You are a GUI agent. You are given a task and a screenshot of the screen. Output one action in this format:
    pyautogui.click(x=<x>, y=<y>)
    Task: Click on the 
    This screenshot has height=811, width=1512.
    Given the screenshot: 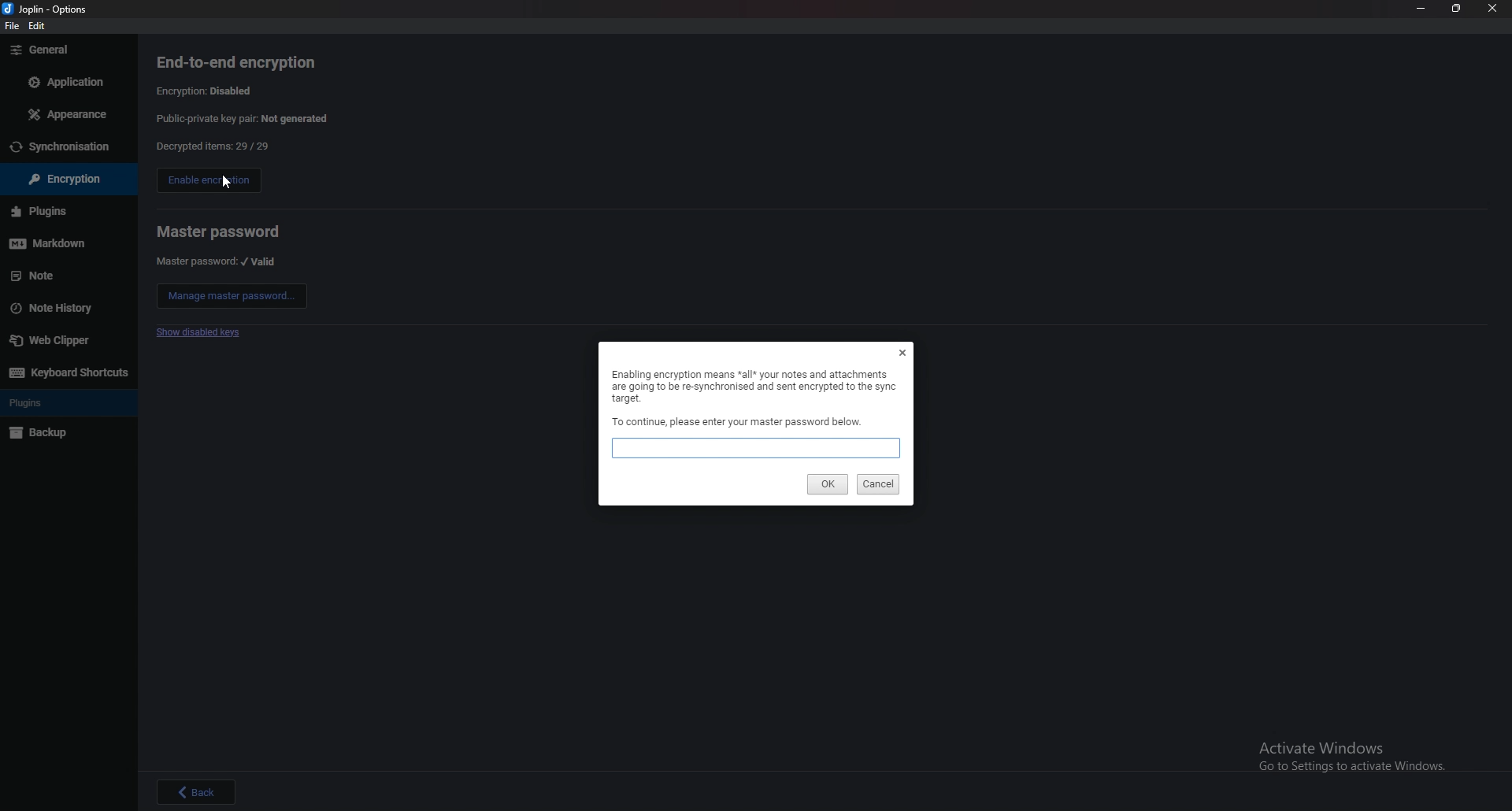 What is the action you would take?
    pyautogui.click(x=66, y=81)
    